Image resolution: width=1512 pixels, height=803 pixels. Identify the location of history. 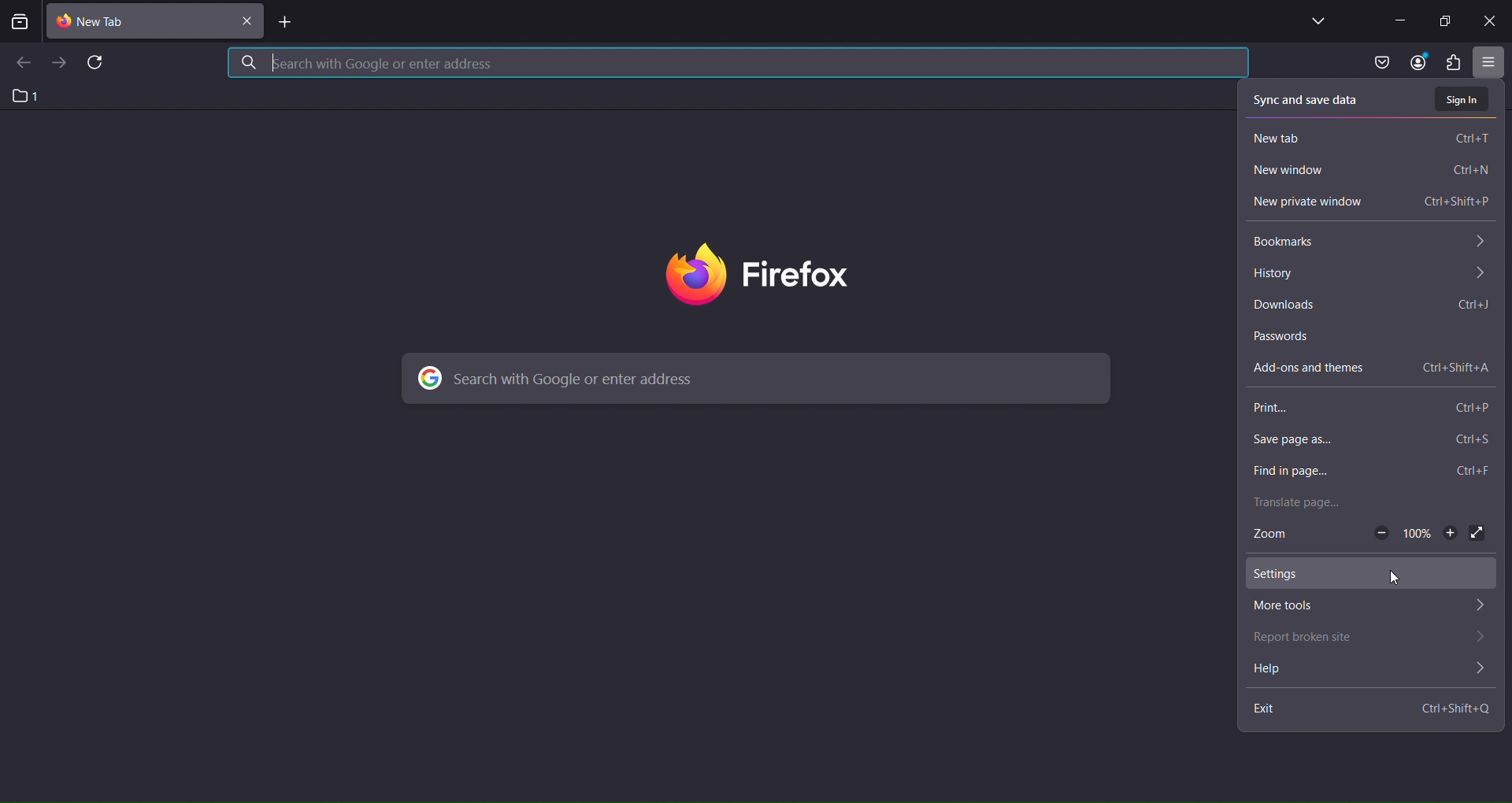
(1369, 276).